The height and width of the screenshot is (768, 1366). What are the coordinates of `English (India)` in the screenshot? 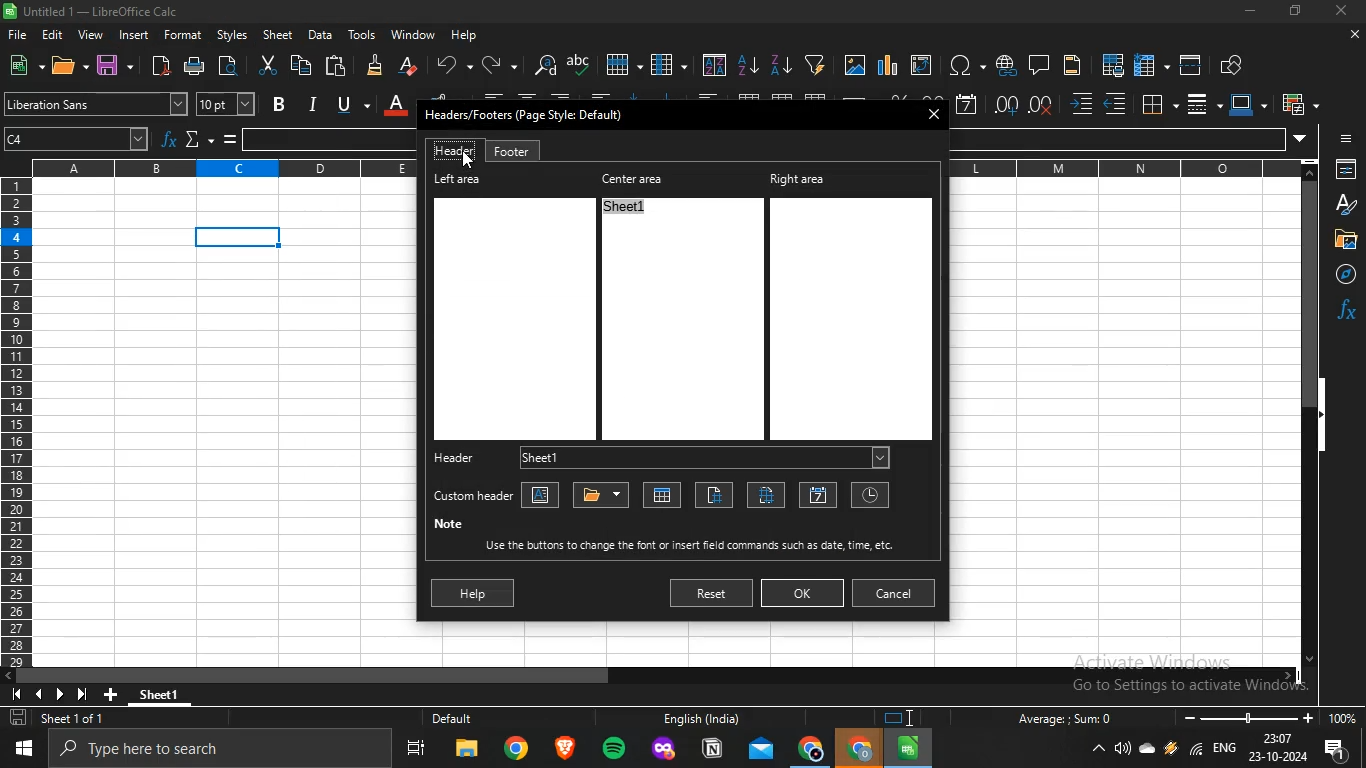 It's located at (700, 719).